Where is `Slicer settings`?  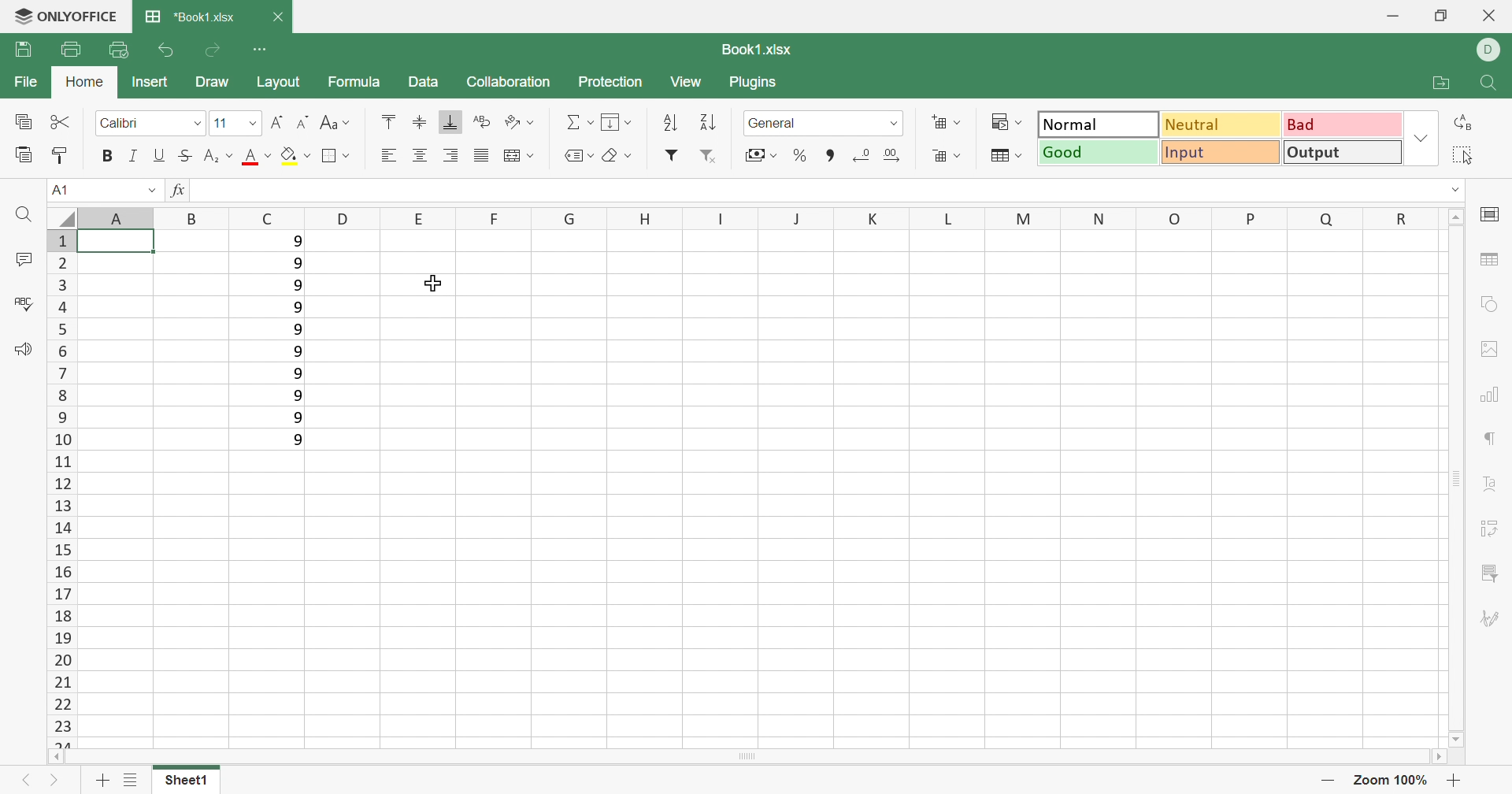
Slicer settings is located at coordinates (1491, 572).